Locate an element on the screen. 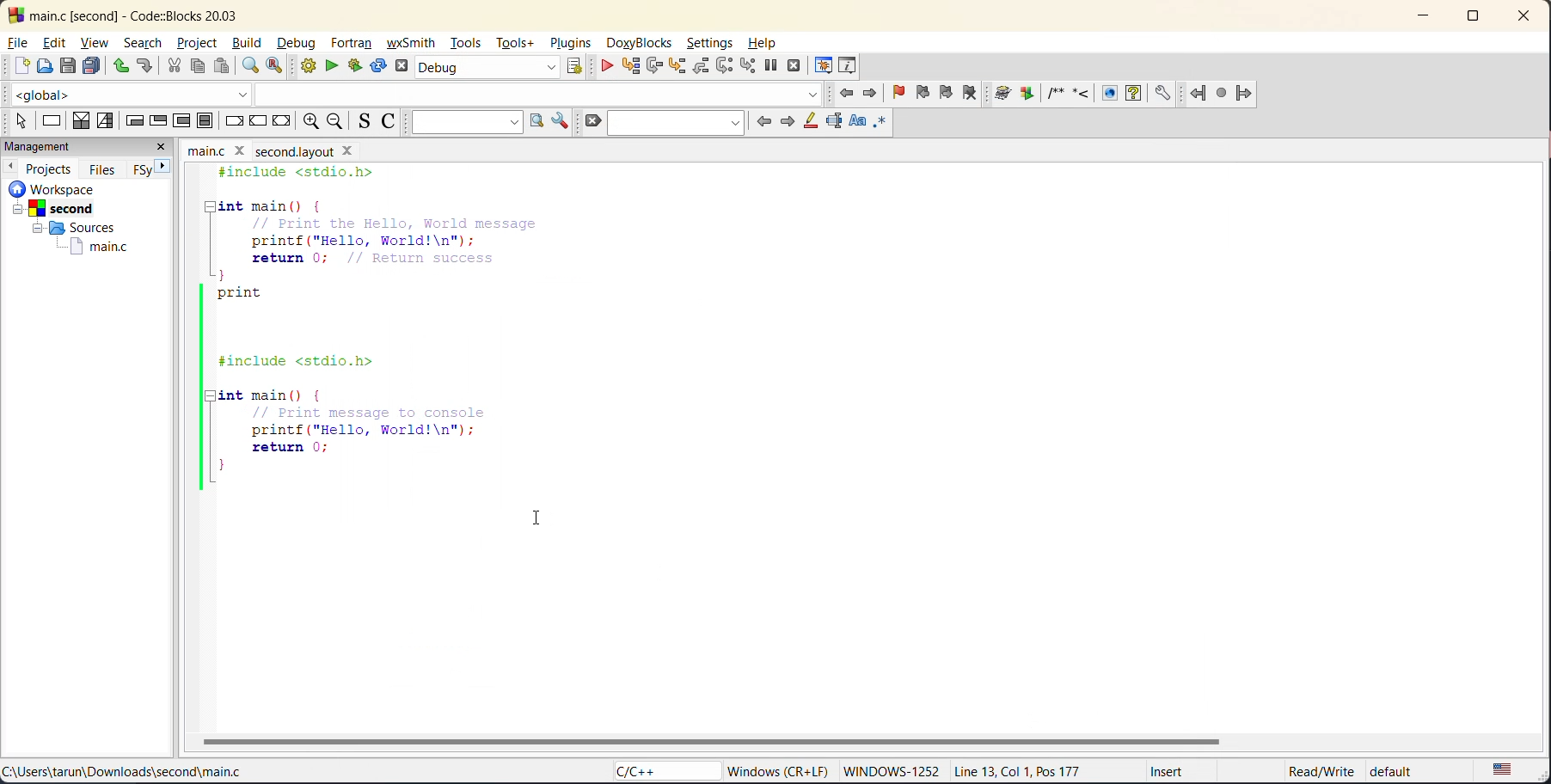  use regex is located at coordinates (886, 123).